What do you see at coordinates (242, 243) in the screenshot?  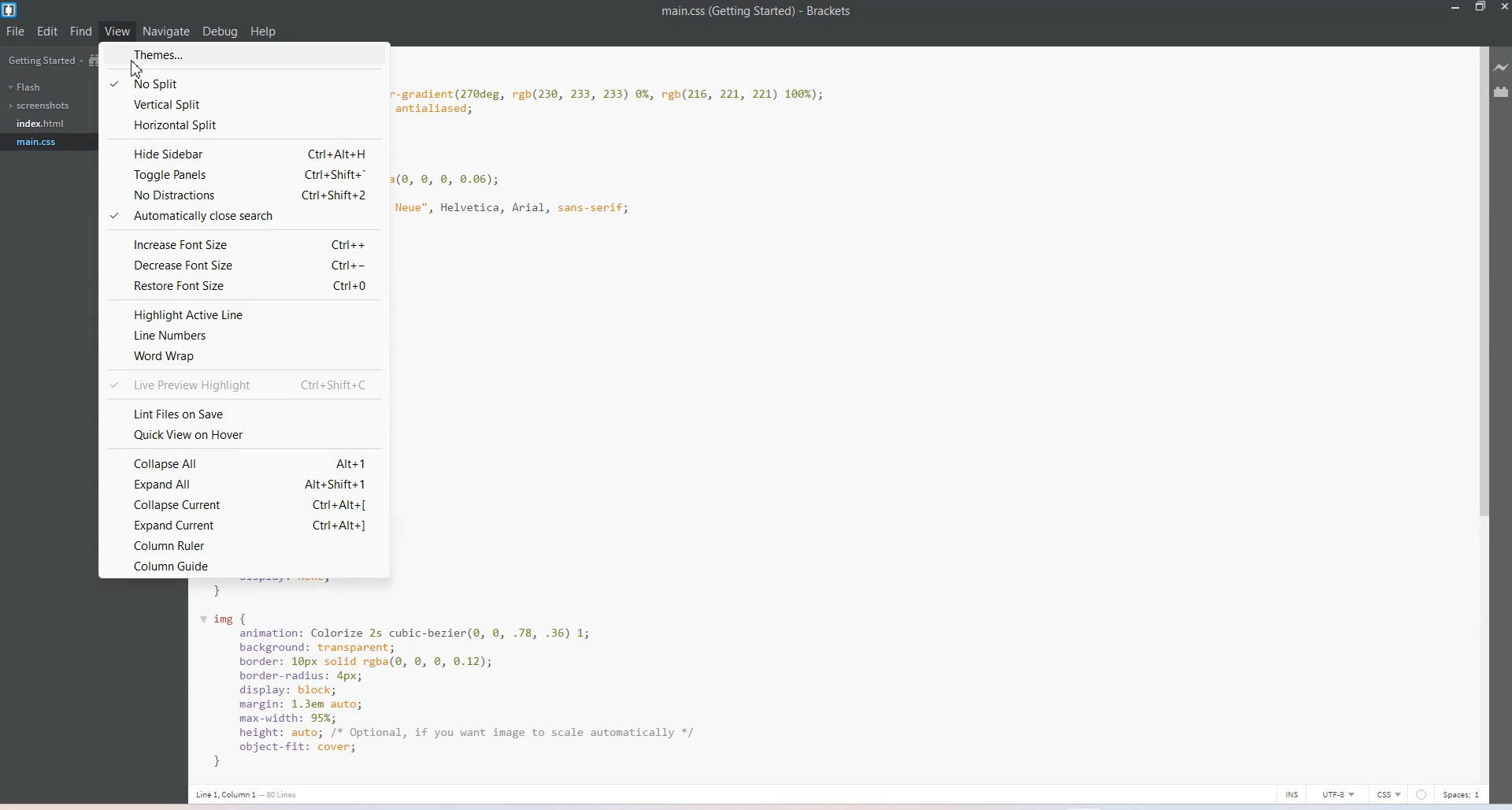 I see `Increase Font Size` at bounding box center [242, 243].